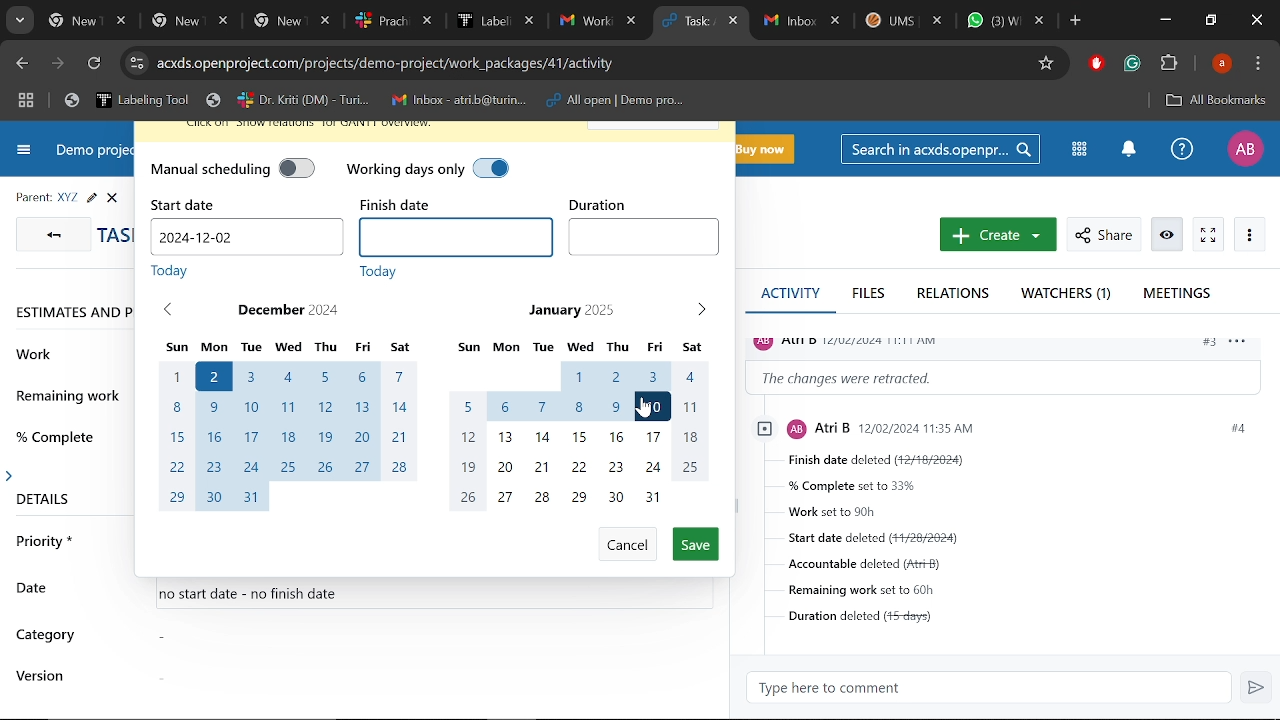 This screenshot has width=1280, height=720. I want to click on Close, so click(1256, 21).